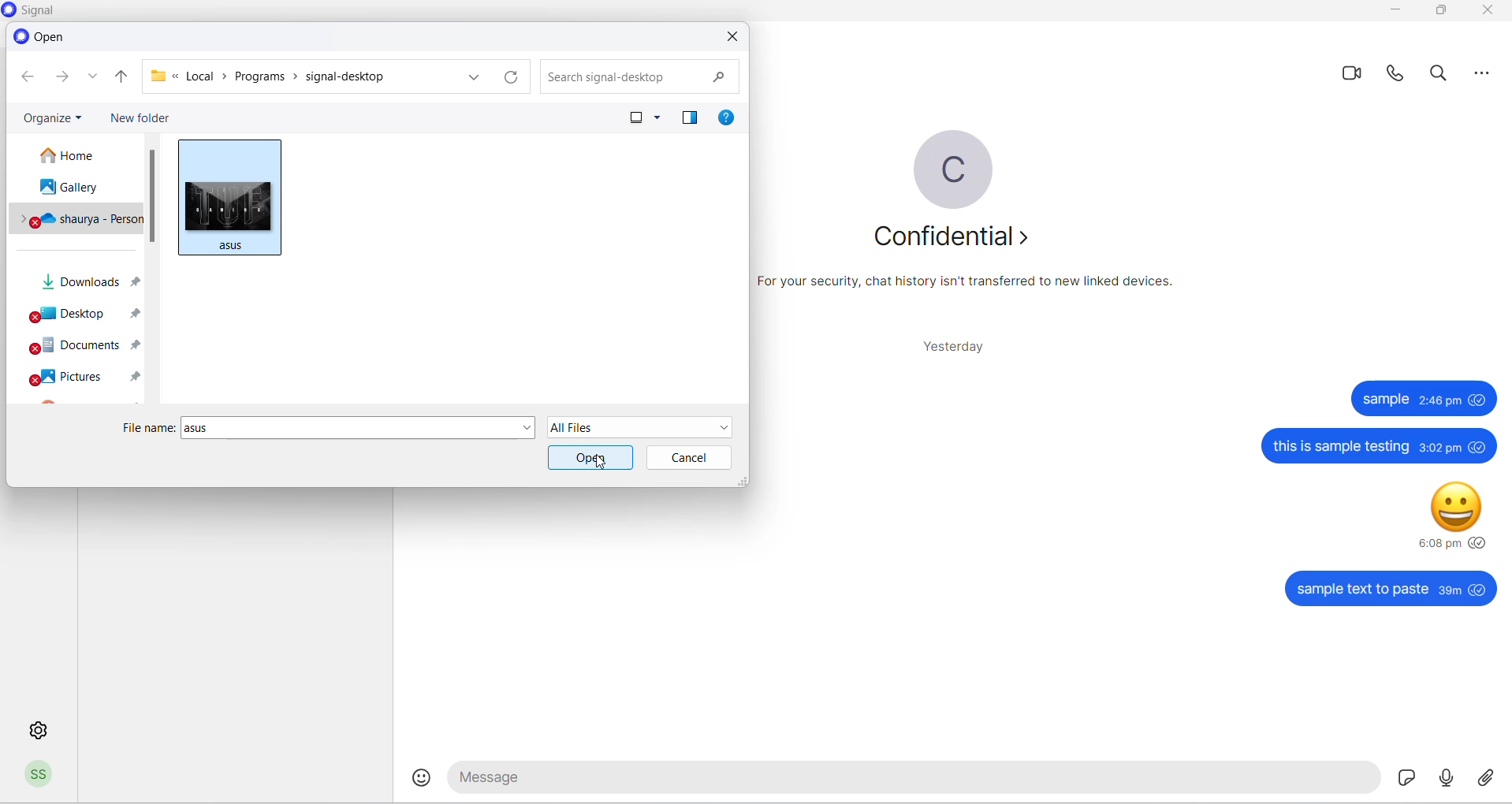 The height and width of the screenshot is (804, 1512). I want to click on , so click(691, 117).